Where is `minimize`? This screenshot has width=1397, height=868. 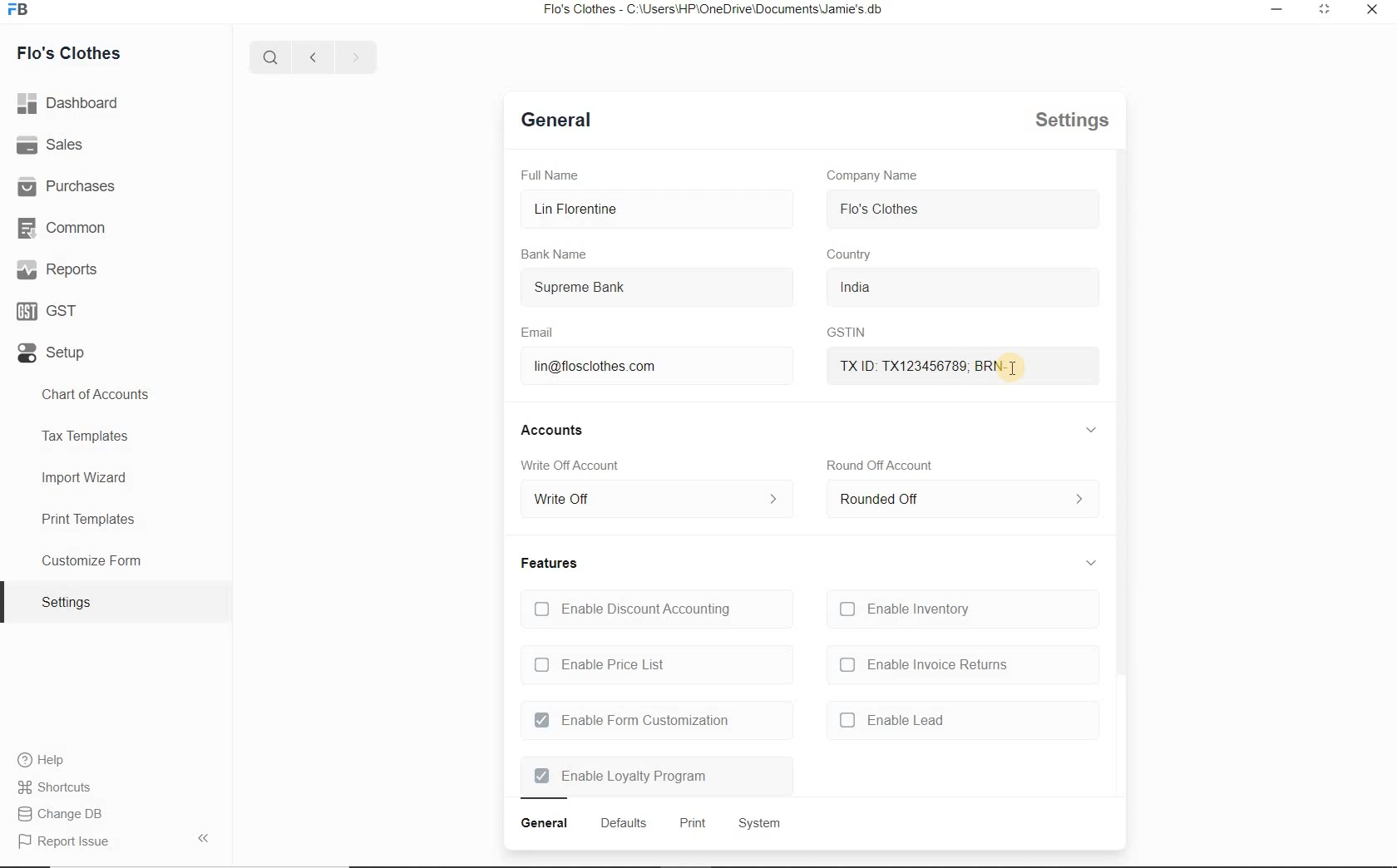 minimize is located at coordinates (1325, 12).